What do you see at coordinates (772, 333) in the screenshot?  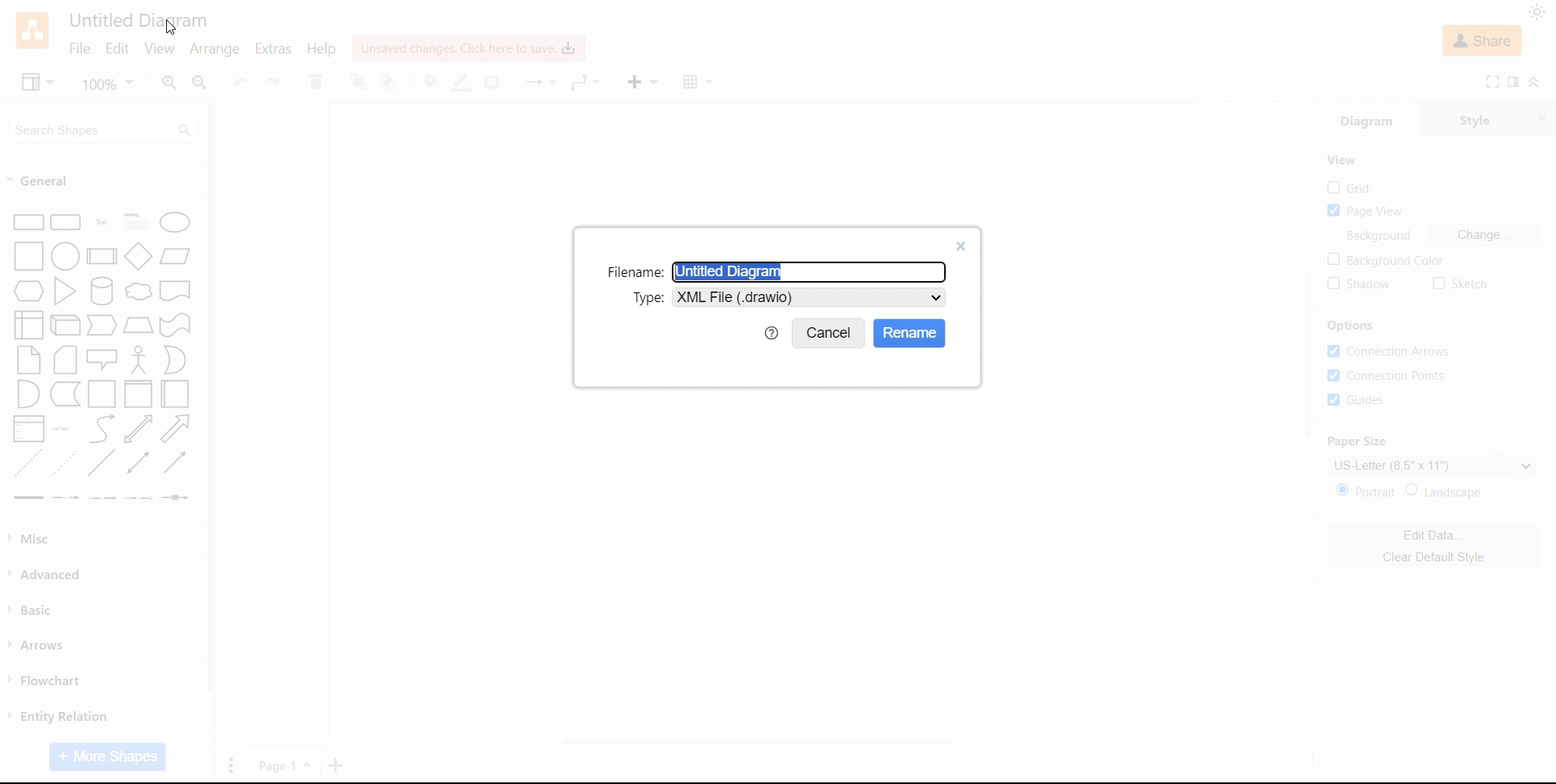 I see `help ` at bounding box center [772, 333].